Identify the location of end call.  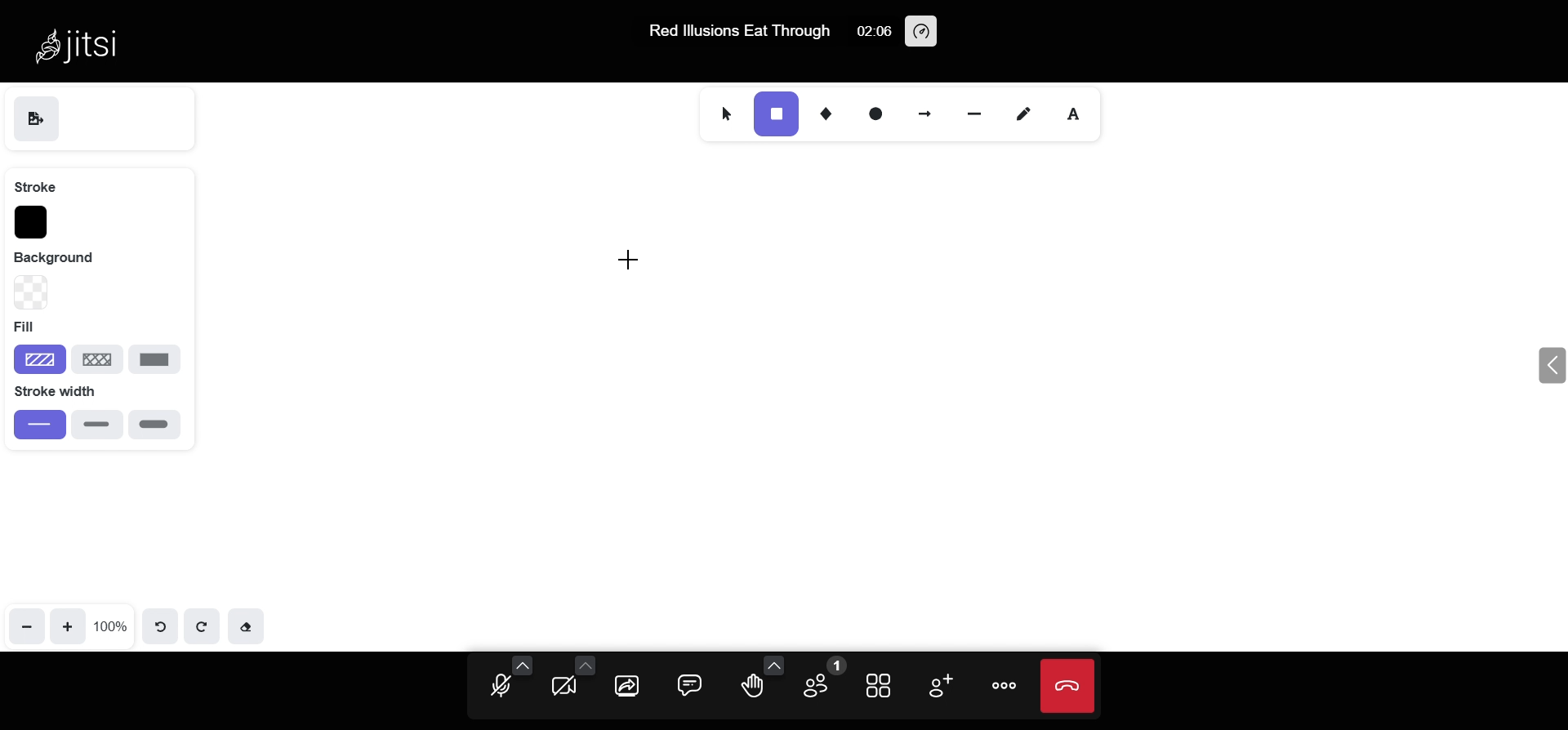
(1069, 686).